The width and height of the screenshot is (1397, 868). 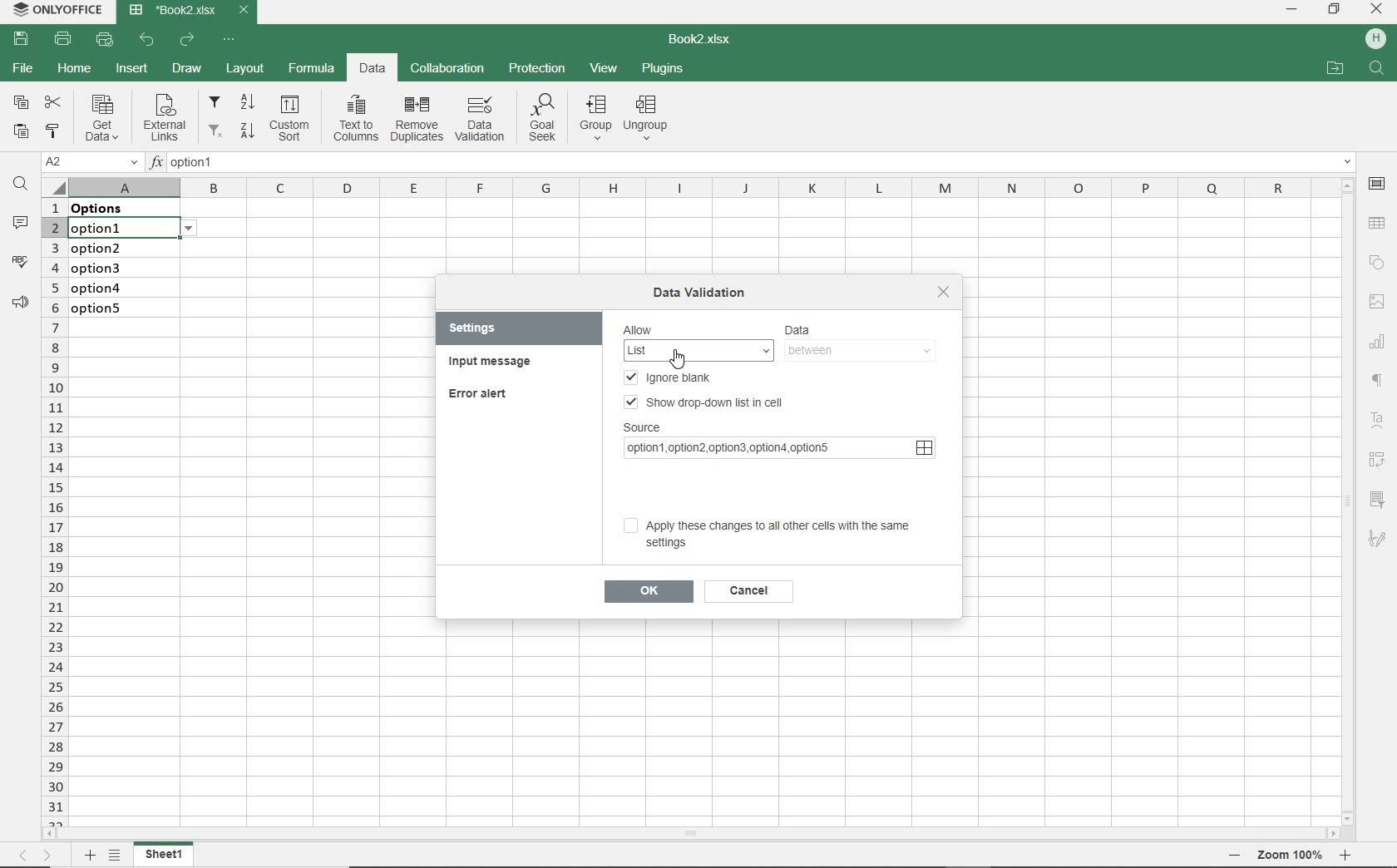 What do you see at coordinates (124, 230) in the screenshot?
I see `selected cell` at bounding box center [124, 230].